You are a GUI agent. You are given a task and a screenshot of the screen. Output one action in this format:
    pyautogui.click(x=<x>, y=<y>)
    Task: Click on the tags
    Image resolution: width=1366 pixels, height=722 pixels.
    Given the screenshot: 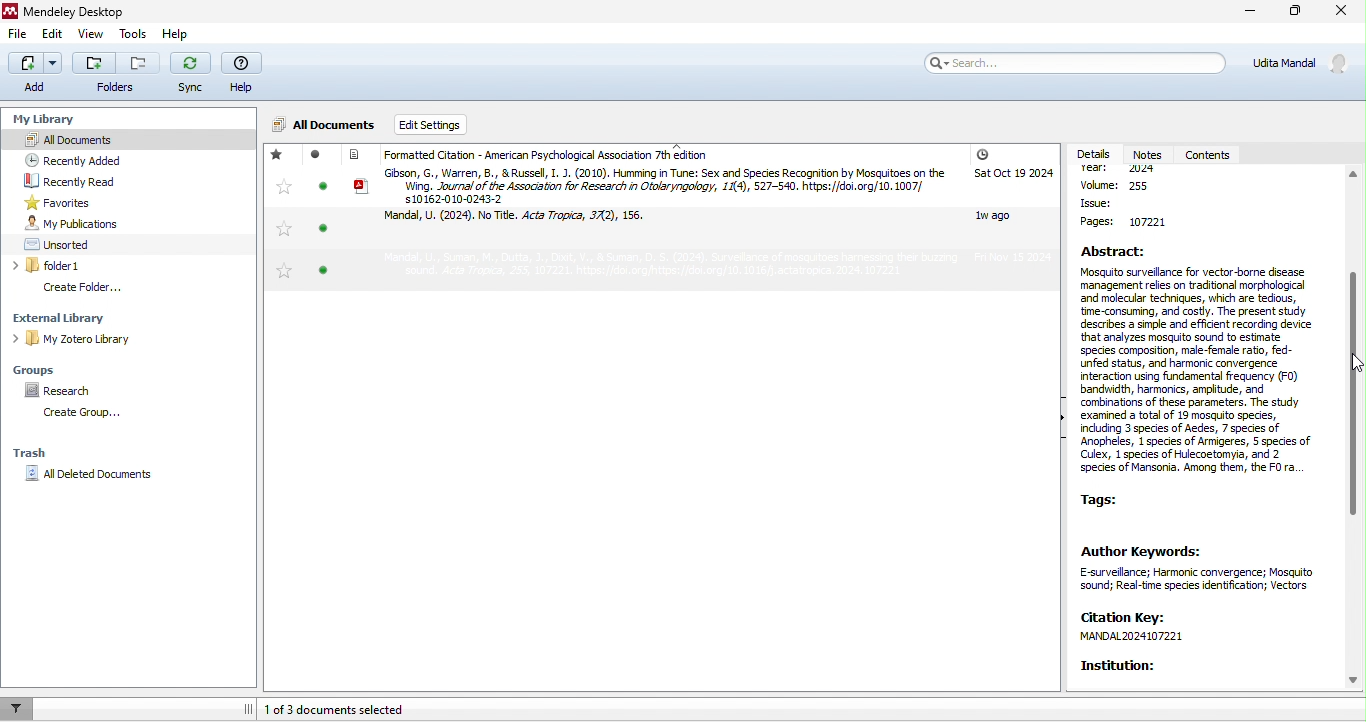 What is the action you would take?
    pyautogui.click(x=1112, y=503)
    